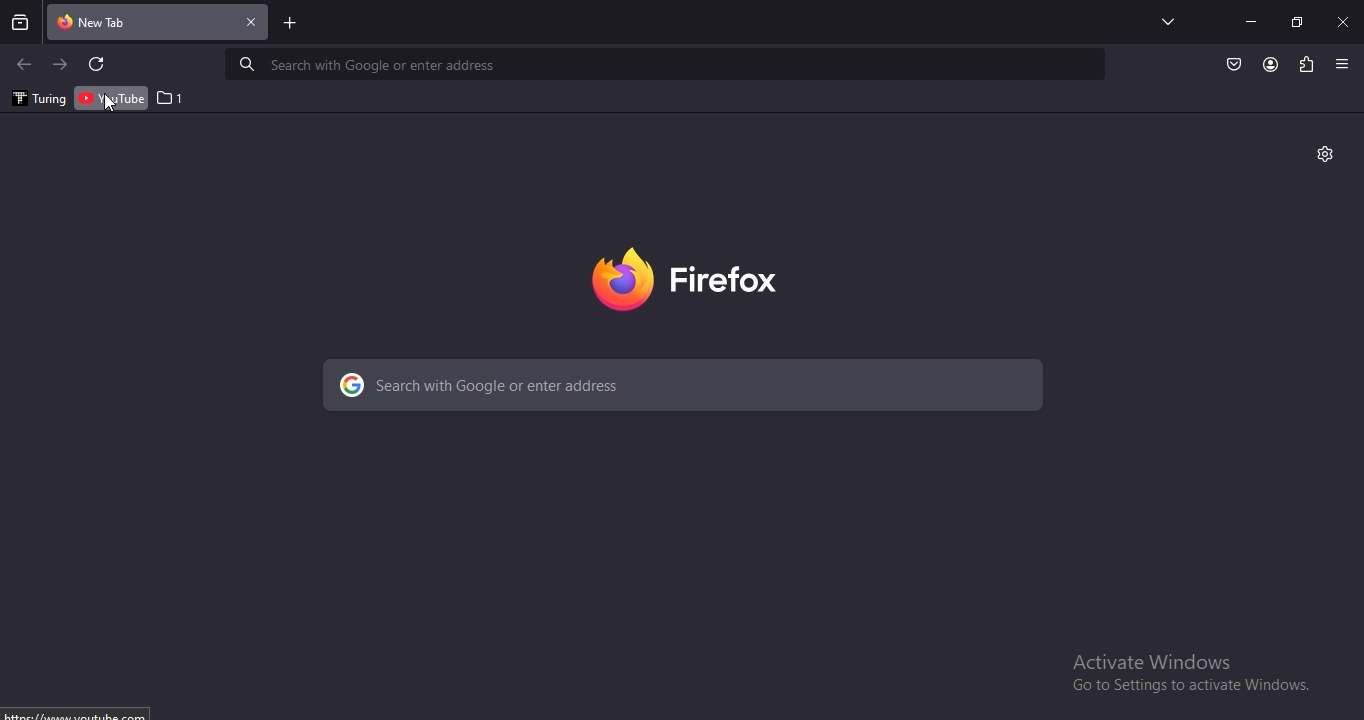  Describe the element at coordinates (1299, 22) in the screenshot. I see `restore windows` at that location.